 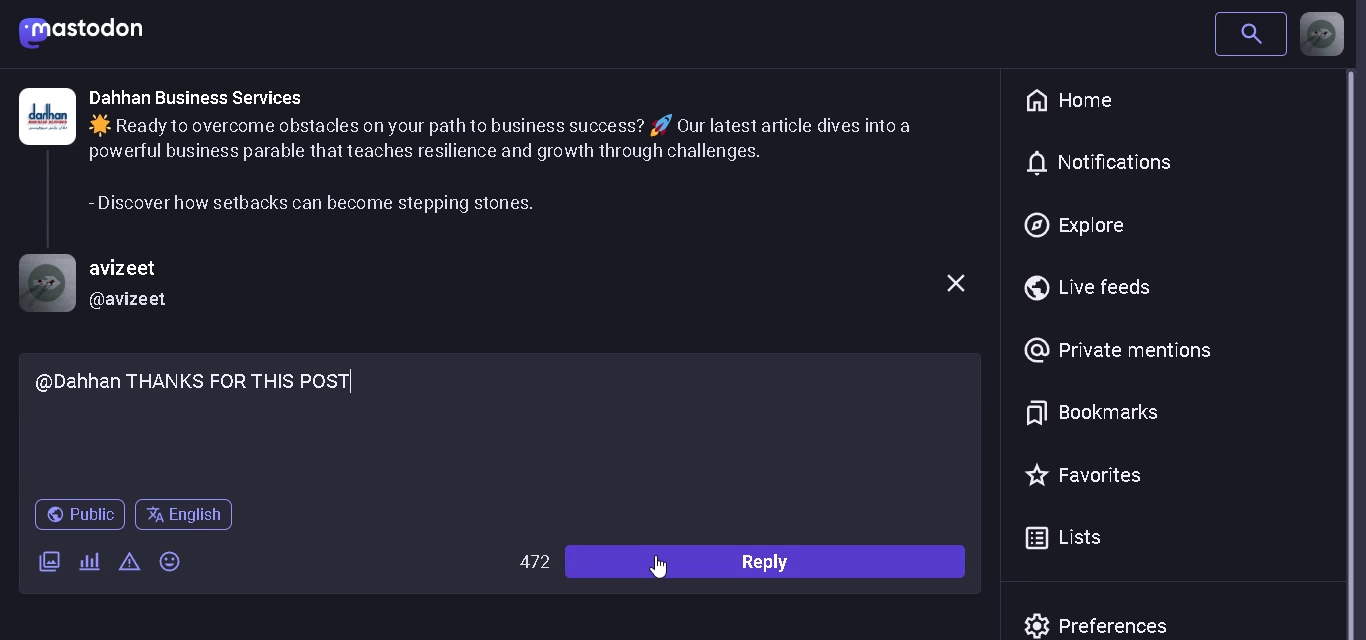 I want to click on Scrollbar, so click(x=1358, y=355).